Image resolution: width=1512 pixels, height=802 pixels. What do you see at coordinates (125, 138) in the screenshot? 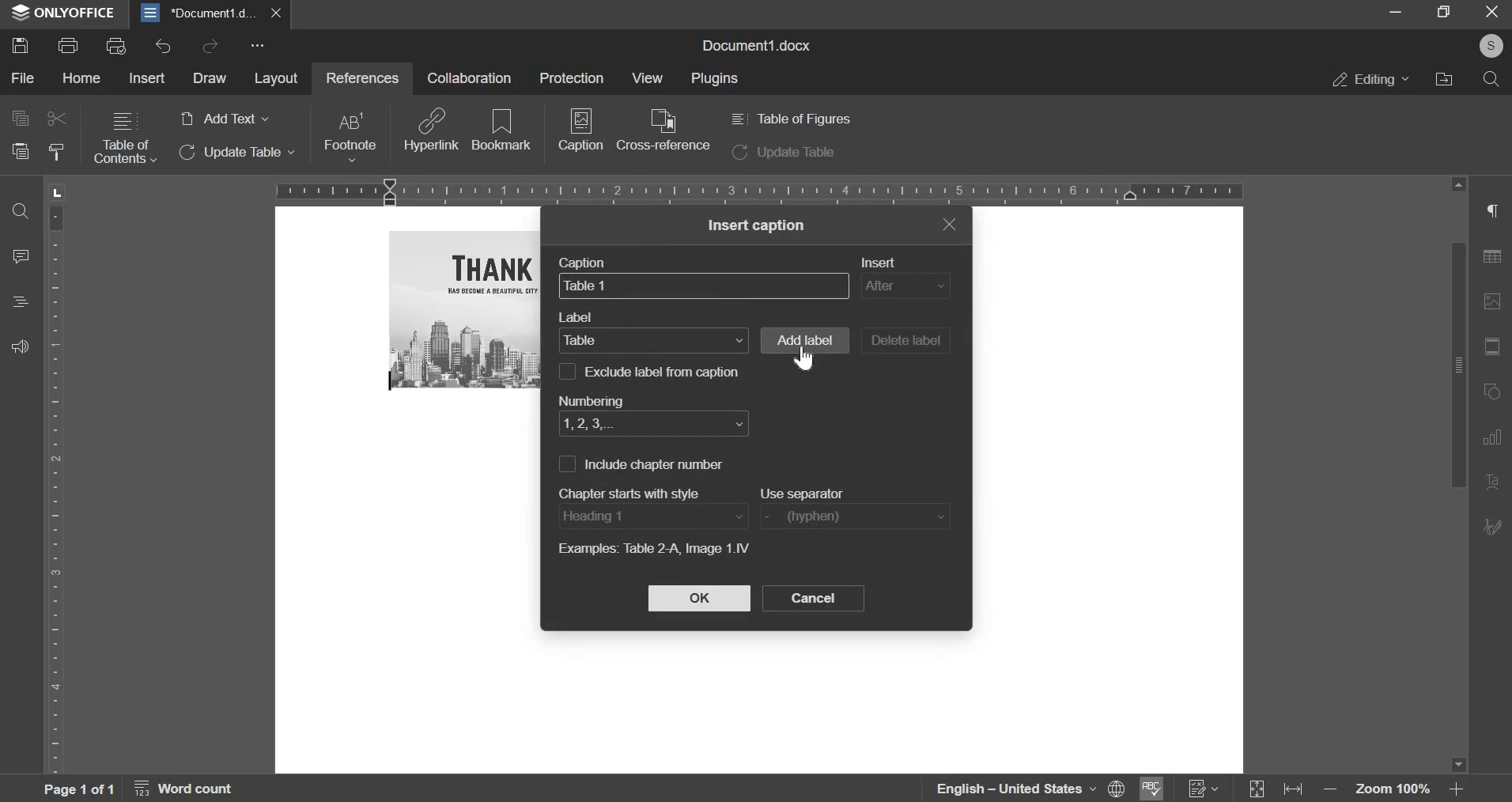
I see `table of contents` at bounding box center [125, 138].